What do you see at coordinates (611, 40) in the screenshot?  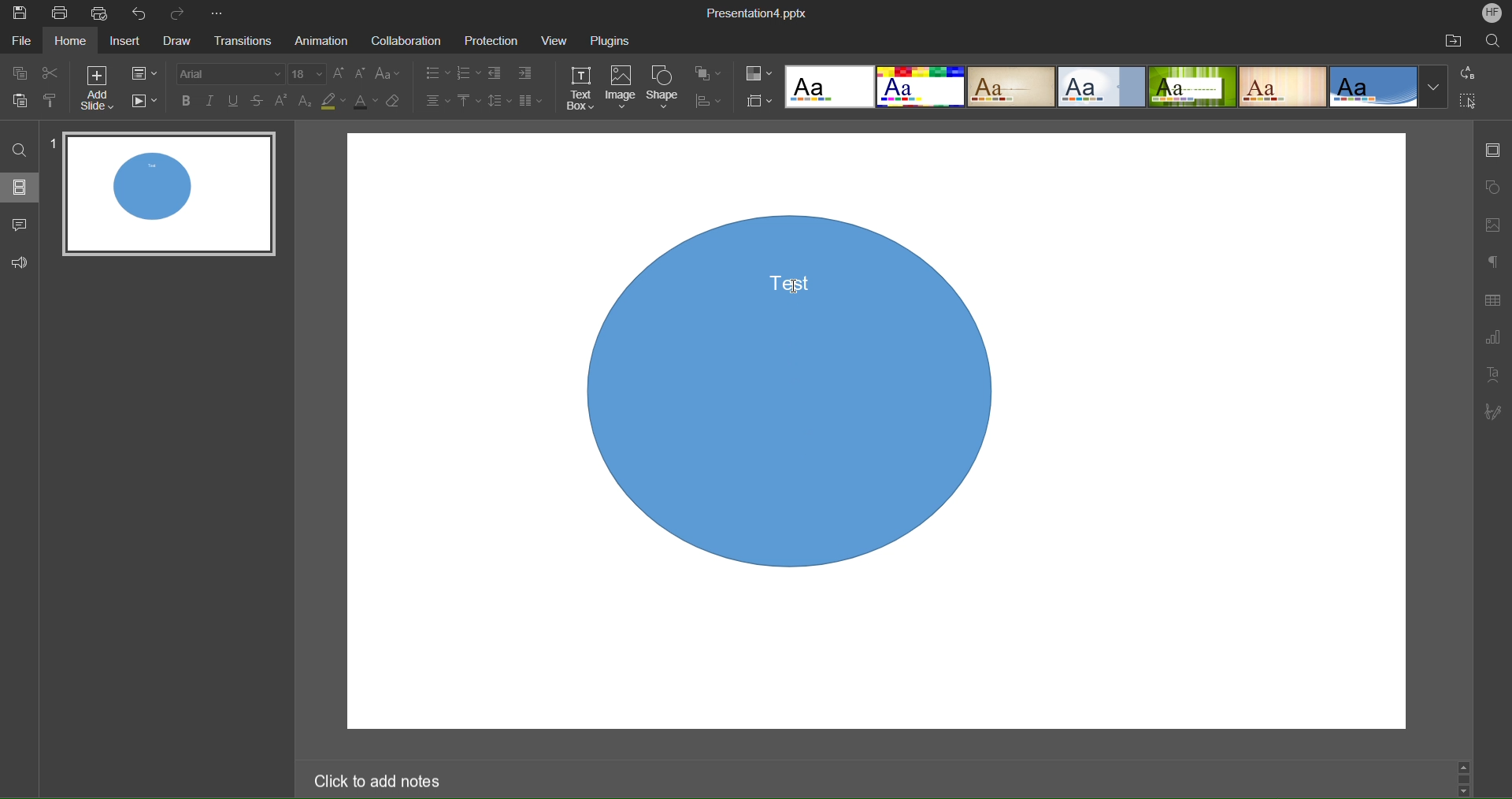 I see `Plugins` at bounding box center [611, 40].